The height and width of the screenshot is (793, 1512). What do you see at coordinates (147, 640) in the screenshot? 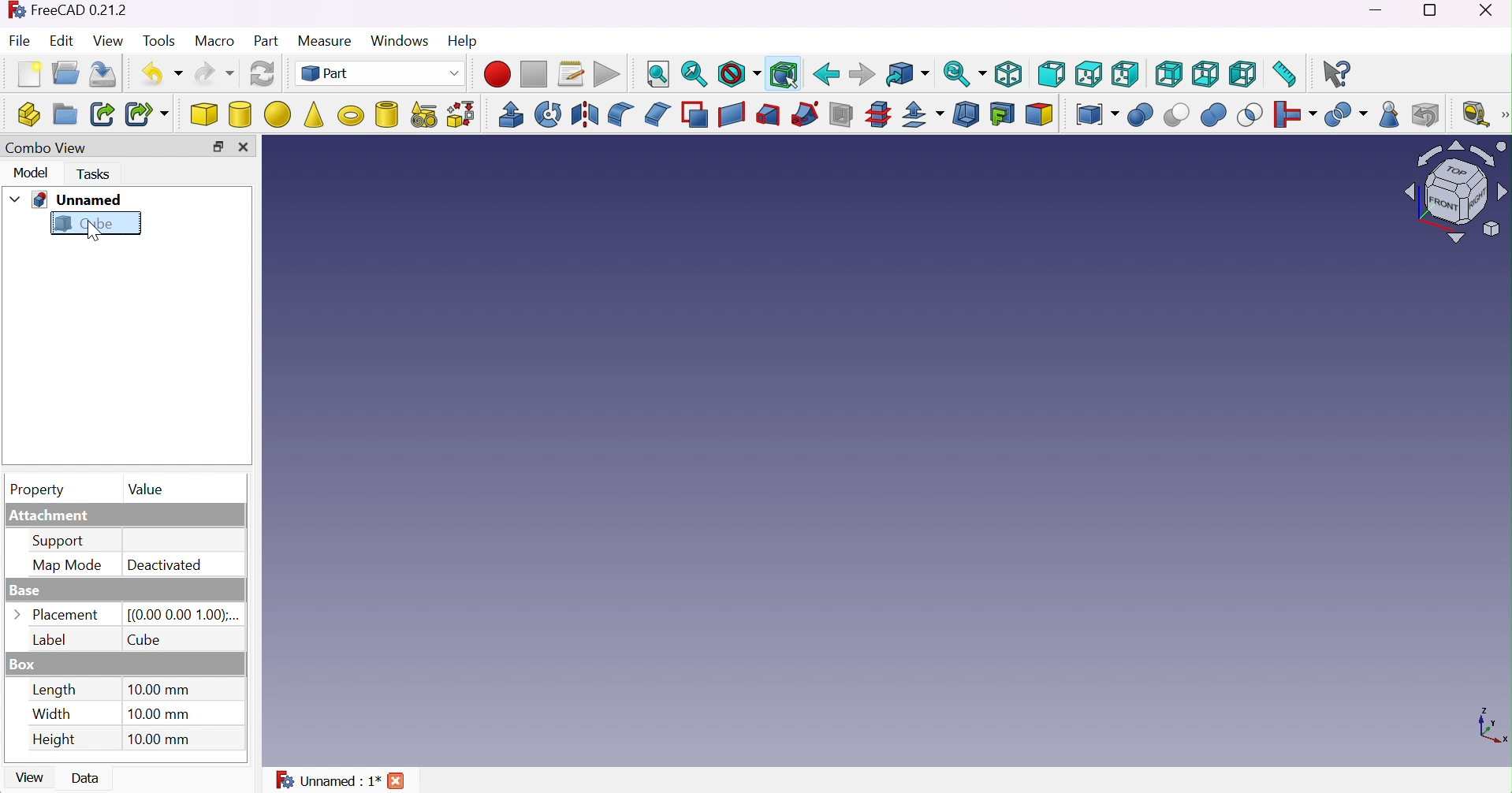
I see `Cube` at bounding box center [147, 640].